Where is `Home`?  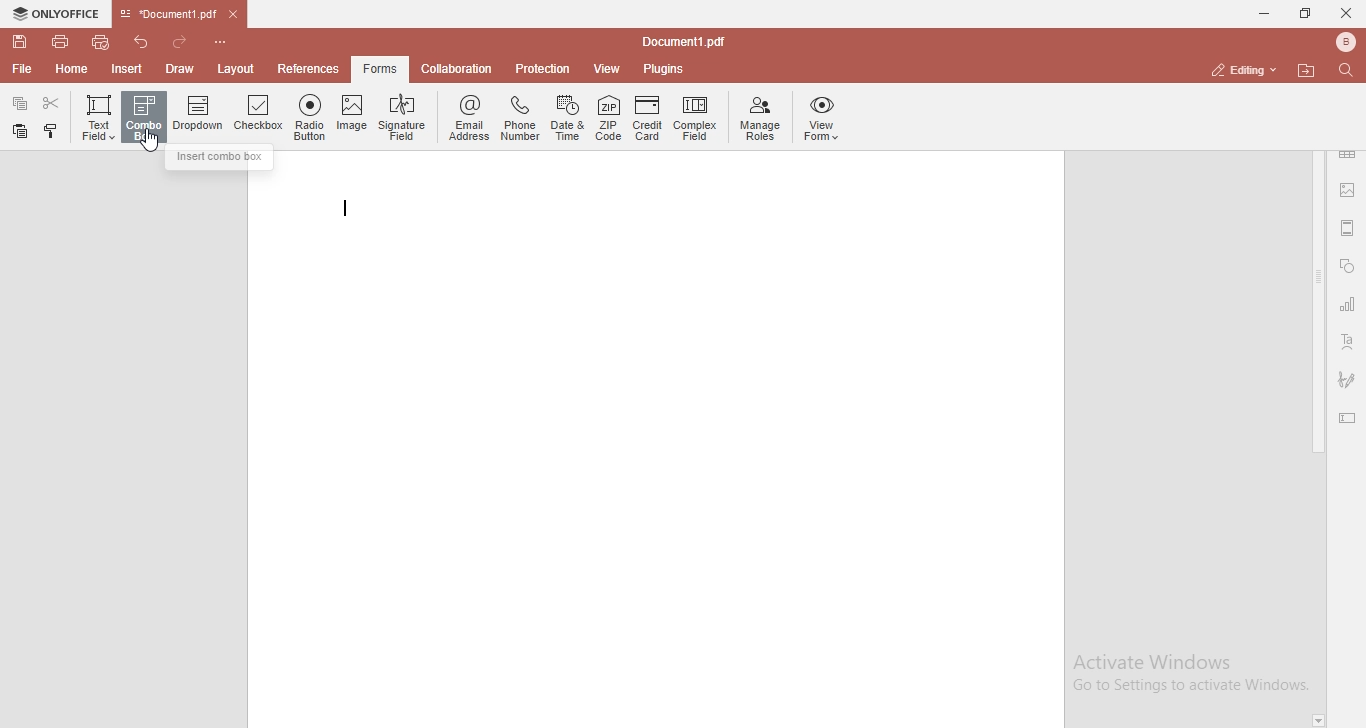
Home is located at coordinates (73, 72).